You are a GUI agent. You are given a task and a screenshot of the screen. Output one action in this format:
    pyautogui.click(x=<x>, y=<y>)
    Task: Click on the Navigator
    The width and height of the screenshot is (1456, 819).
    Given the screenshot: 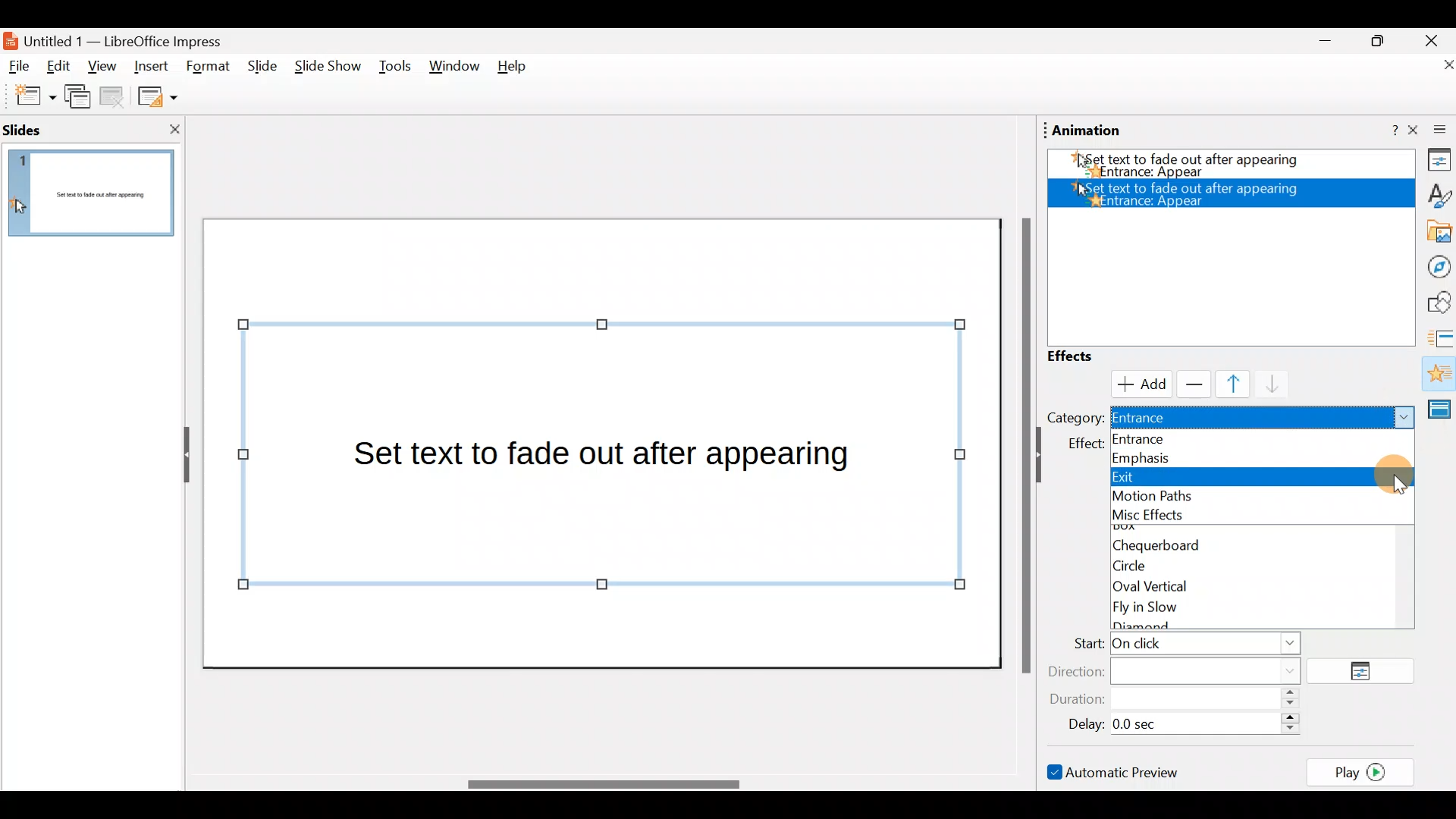 What is the action you would take?
    pyautogui.click(x=1435, y=265)
    